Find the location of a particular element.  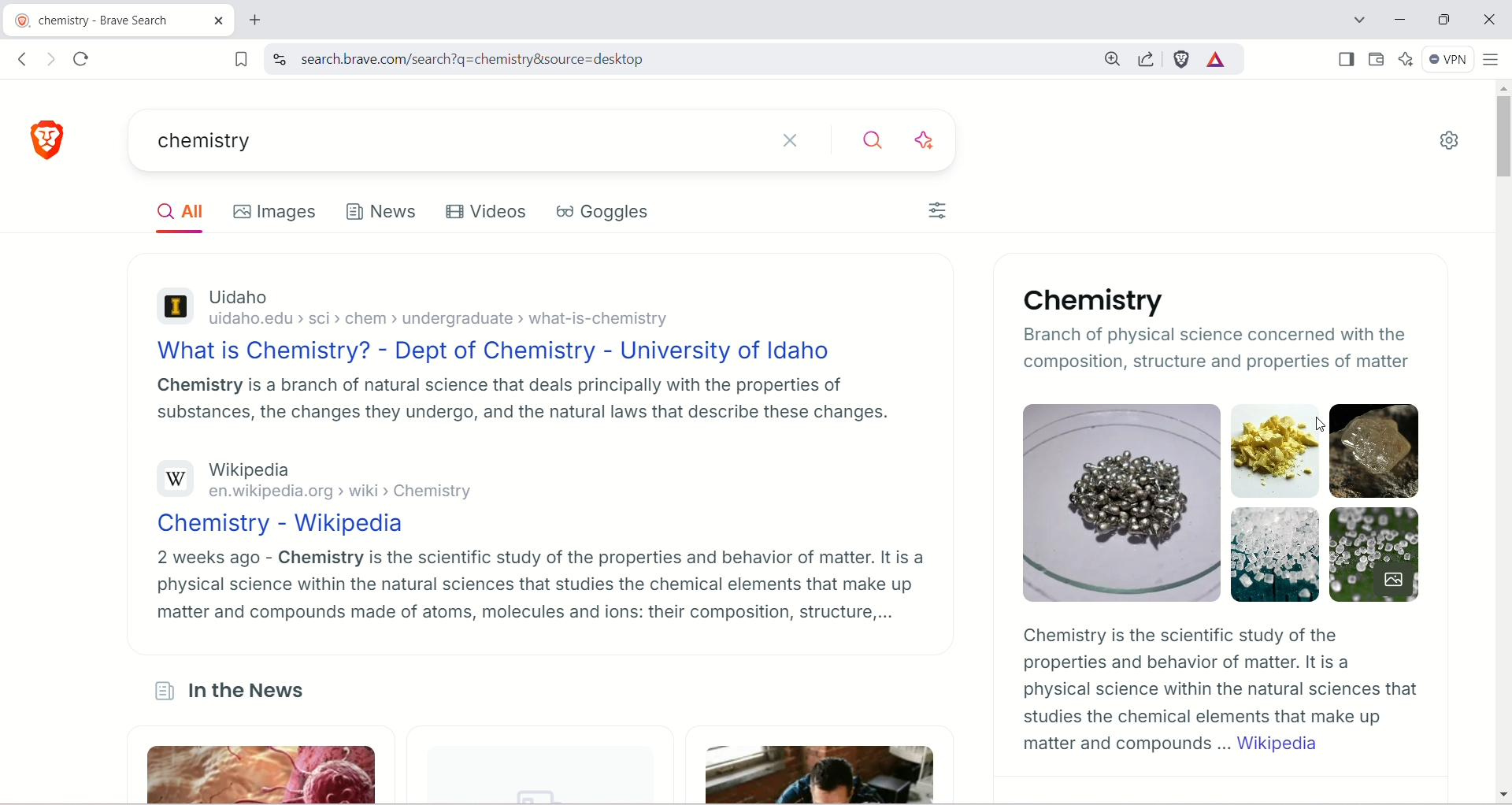

Wikipedia is located at coordinates (262, 469).